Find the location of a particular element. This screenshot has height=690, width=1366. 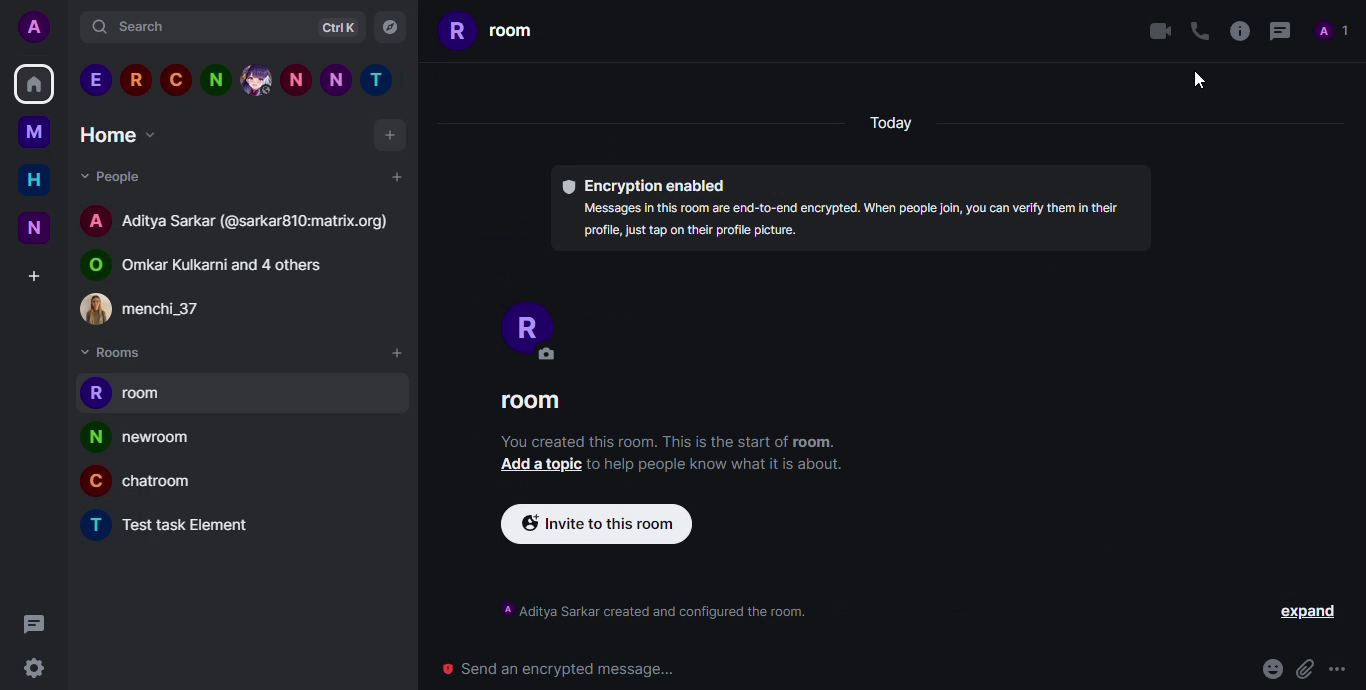

ifo is located at coordinates (667, 441).